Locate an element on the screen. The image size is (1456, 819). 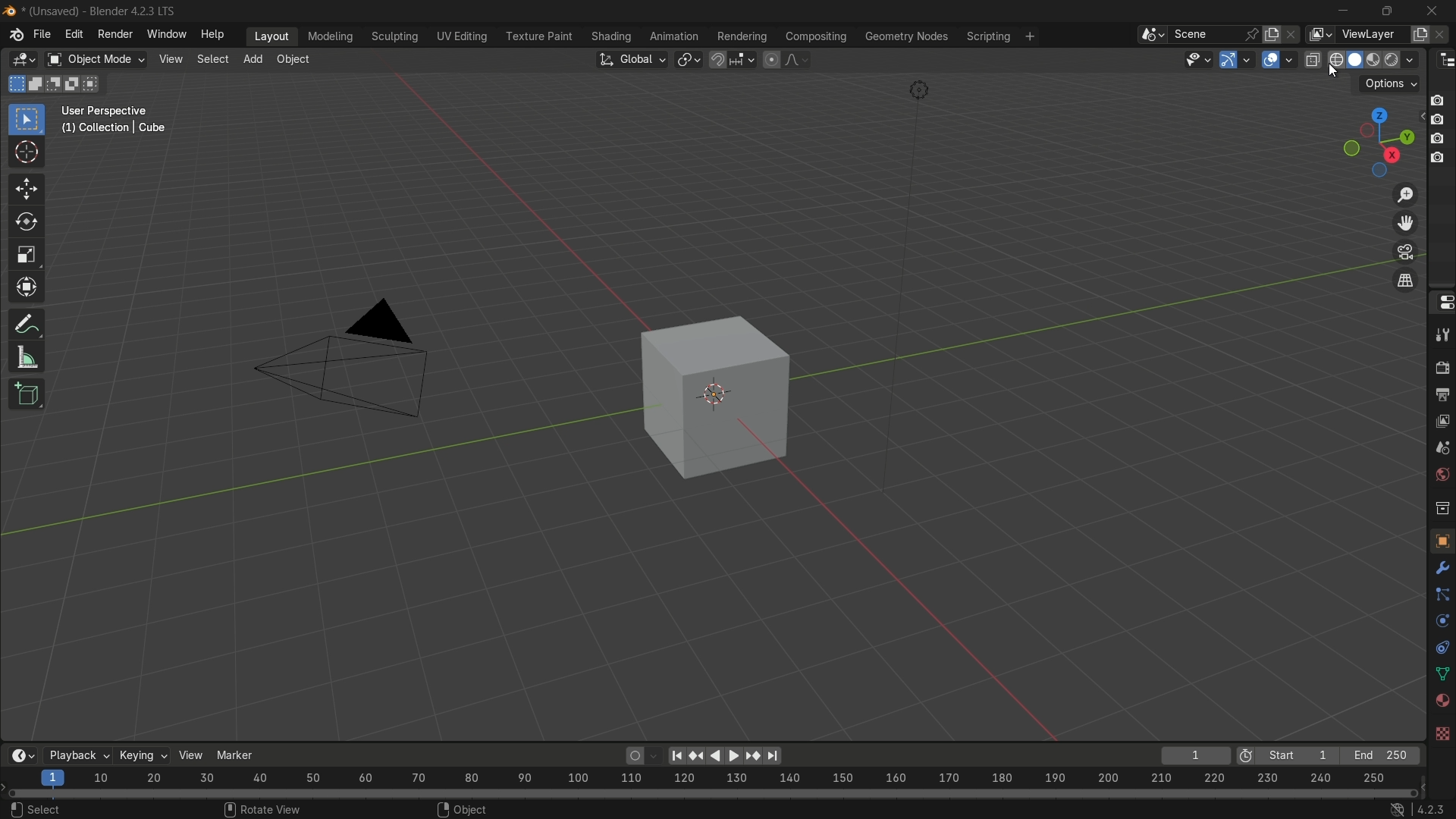
sculpting menu is located at coordinates (393, 36).